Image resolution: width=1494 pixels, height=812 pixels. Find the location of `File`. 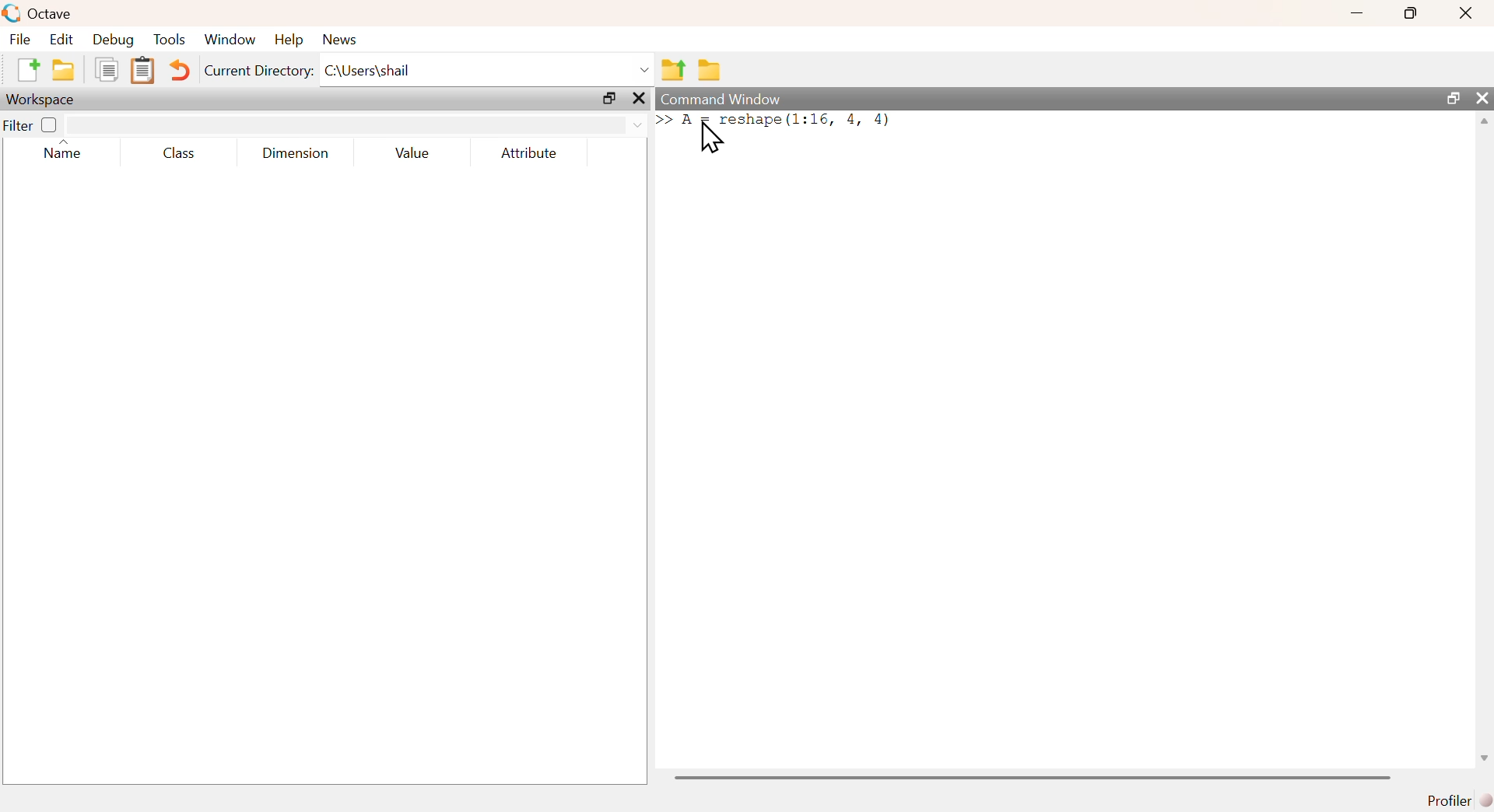

File is located at coordinates (22, 40).